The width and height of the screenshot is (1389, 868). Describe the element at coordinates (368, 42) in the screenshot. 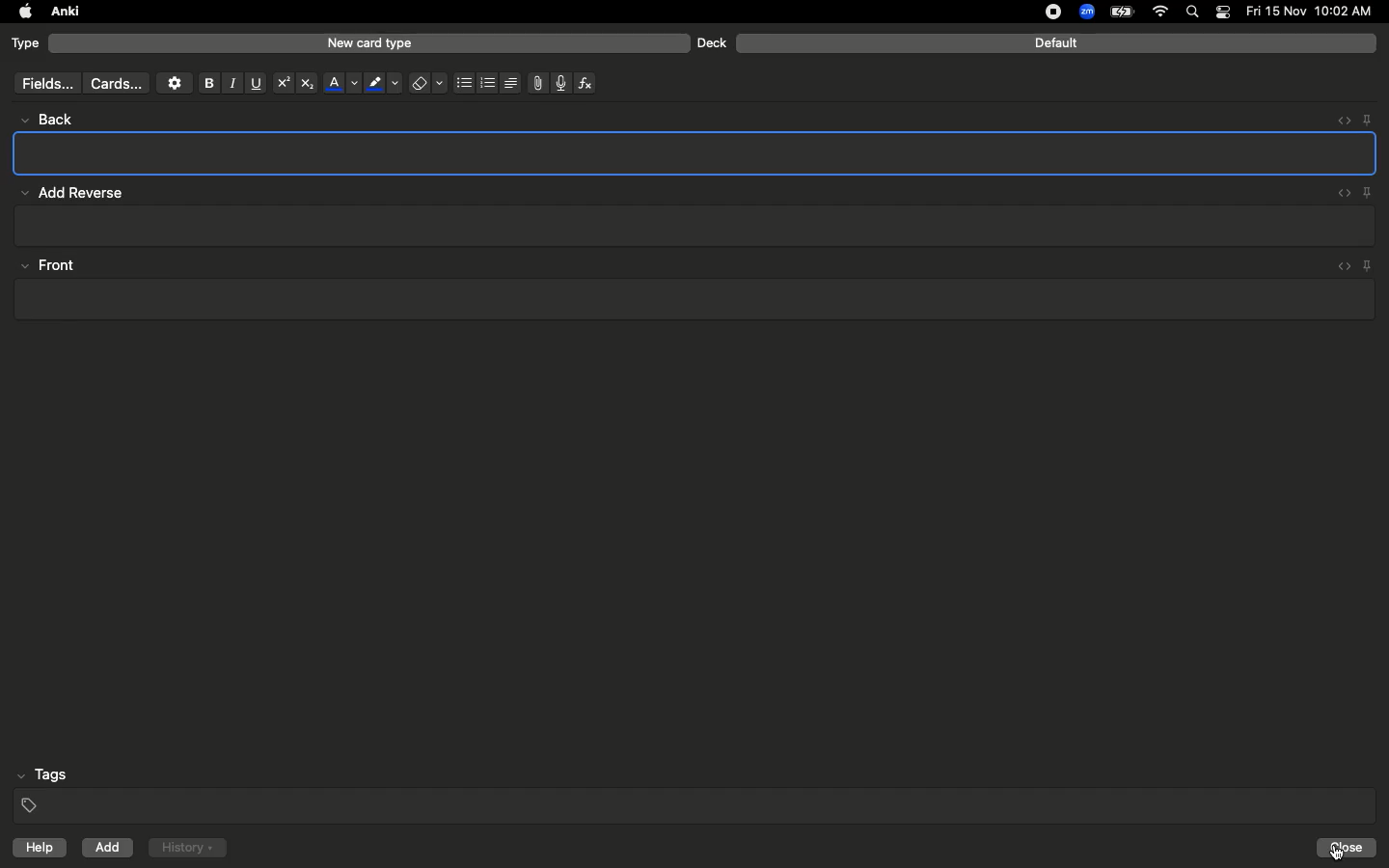

I see `New card type` at that location.